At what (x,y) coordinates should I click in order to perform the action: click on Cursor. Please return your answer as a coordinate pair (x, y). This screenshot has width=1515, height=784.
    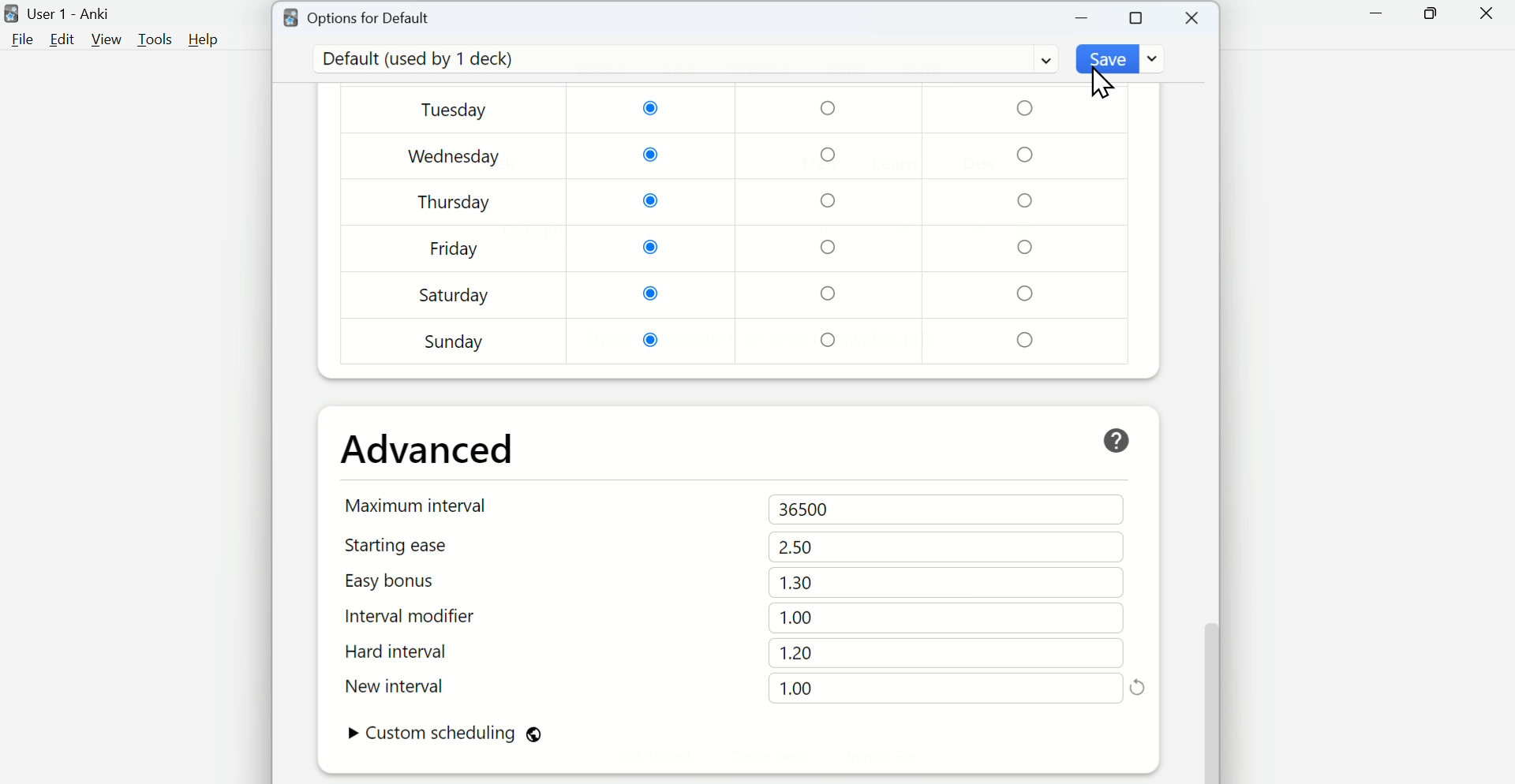
    Looking at the image, I should click on (1104, 84).